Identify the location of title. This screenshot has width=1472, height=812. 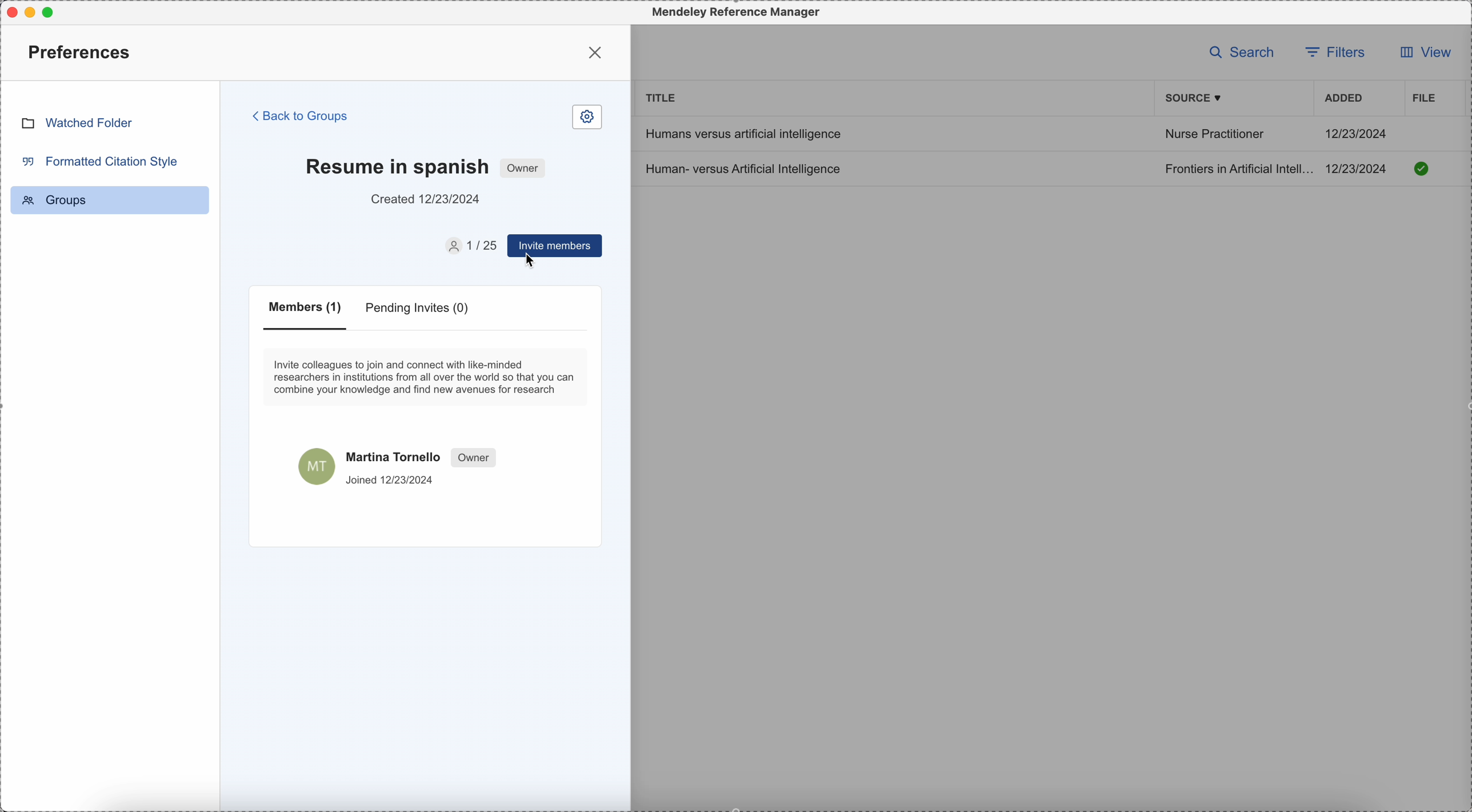
(662, 97).